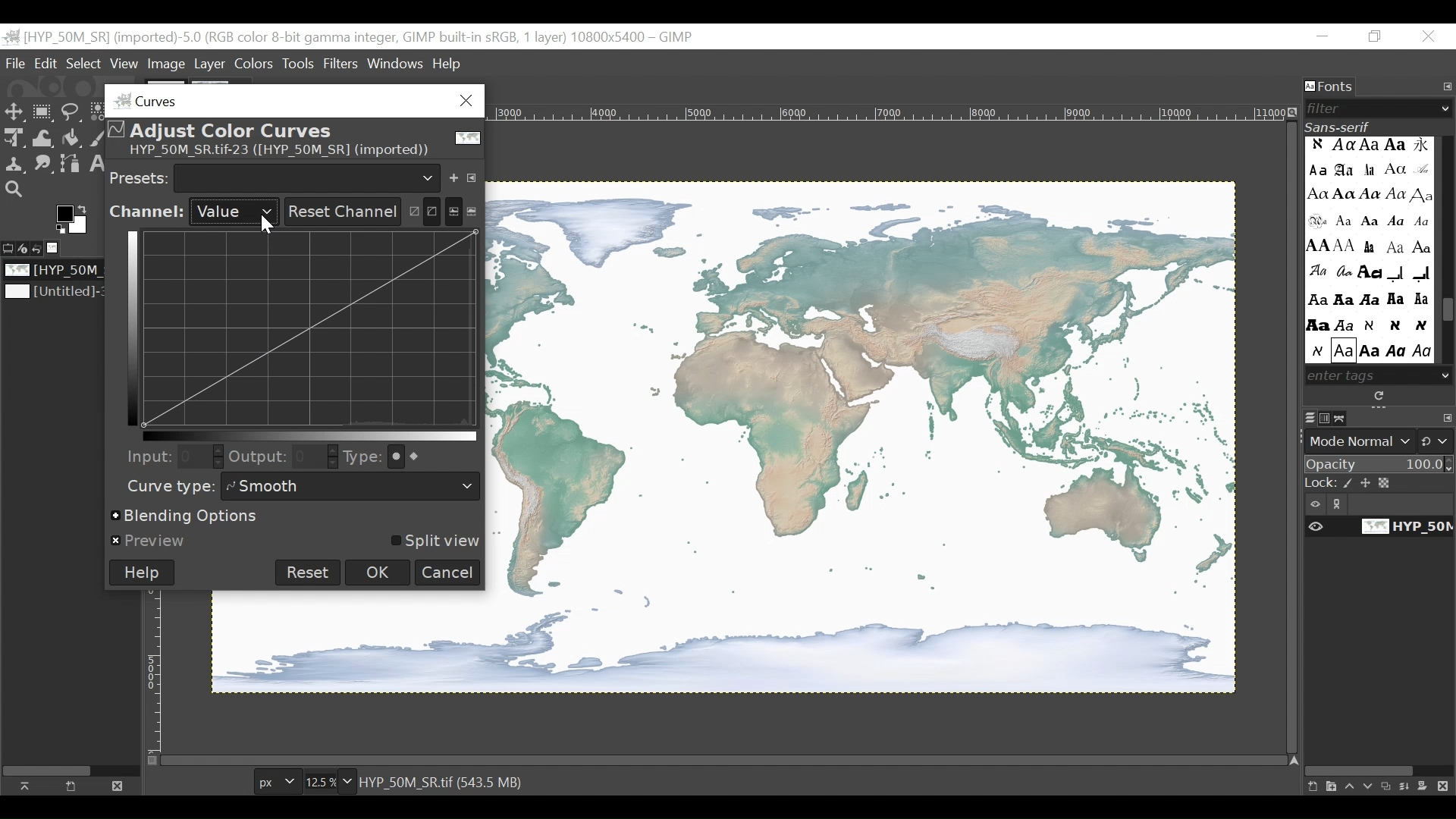 This screenshot has height=819, width=1456. I want to click on Pixels, so click(275, 783).